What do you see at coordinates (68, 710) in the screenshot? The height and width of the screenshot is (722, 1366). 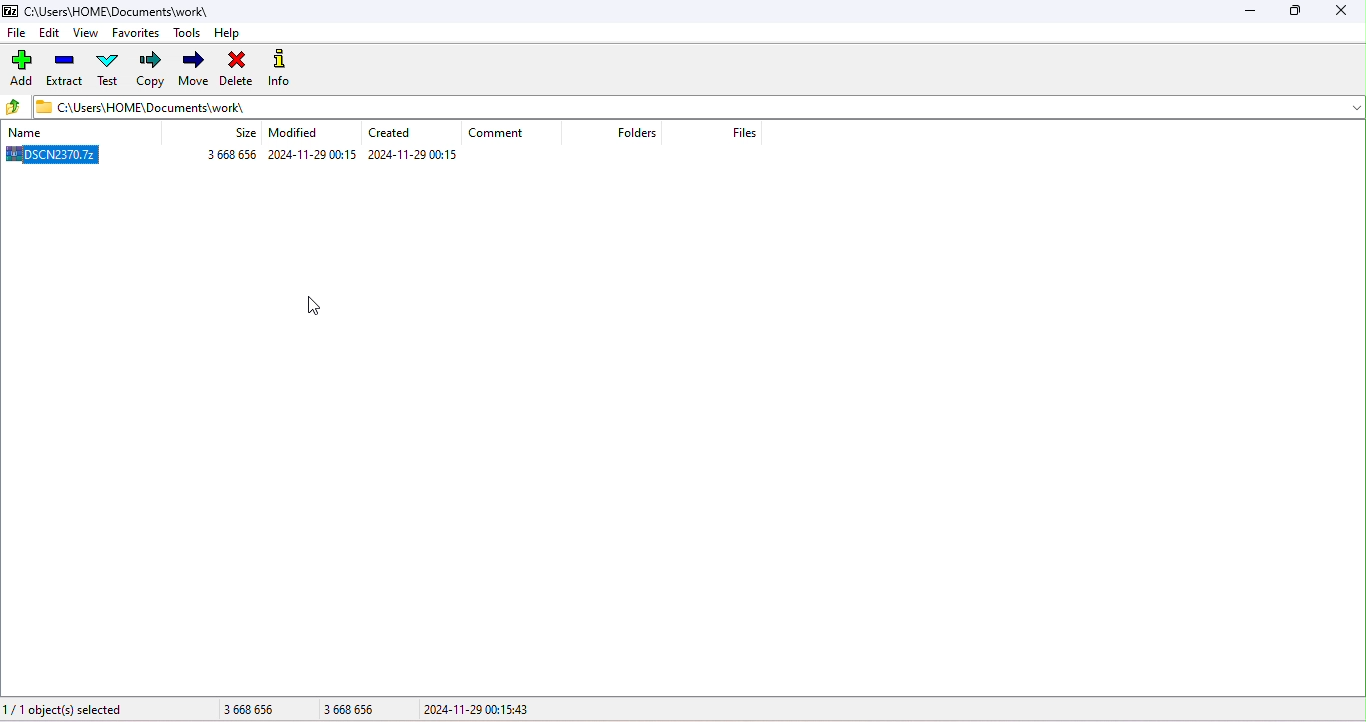 I see `1/1 objects selected` at bounding box center [68, 710].